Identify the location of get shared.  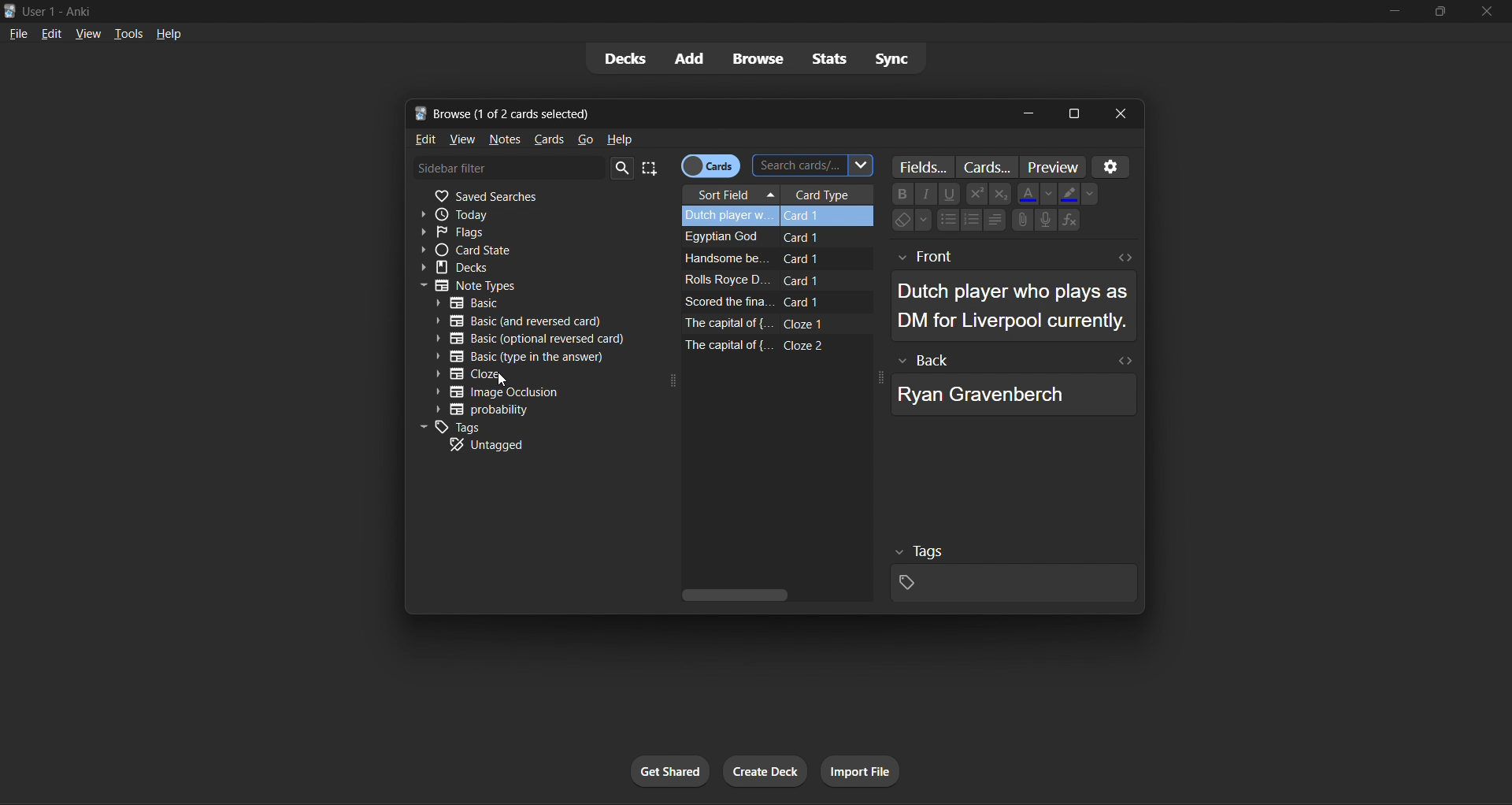
(673, 770).